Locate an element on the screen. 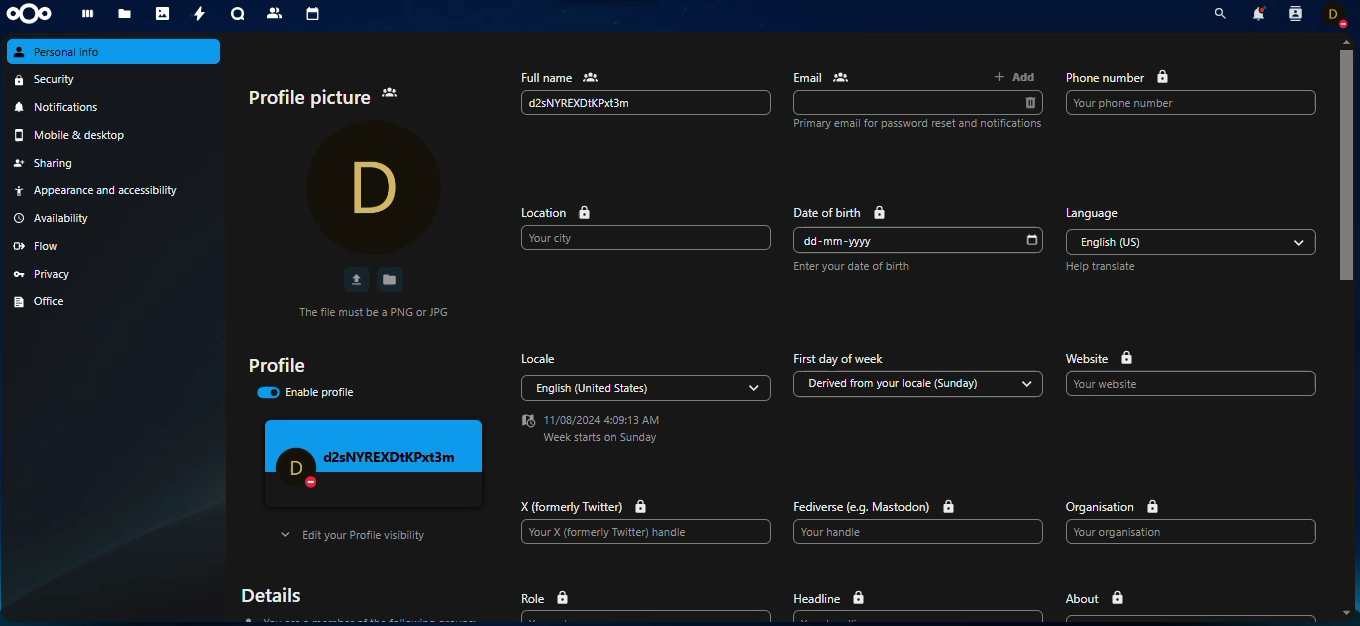 The height and width of the screenshot is (626, 1360). about is located at coordinates (1098, 598).